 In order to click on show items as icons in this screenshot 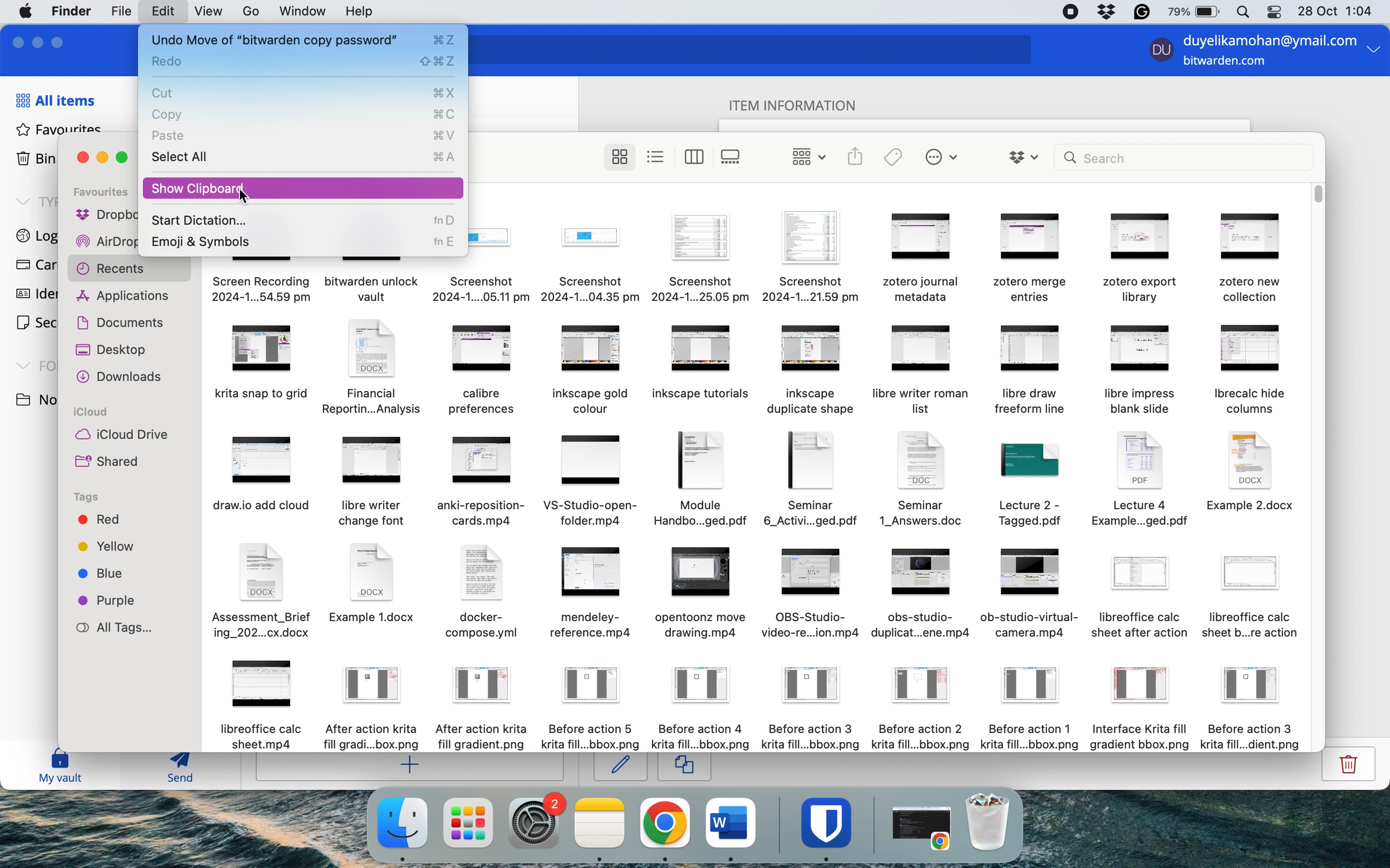, I will do `click(619, 157)`.